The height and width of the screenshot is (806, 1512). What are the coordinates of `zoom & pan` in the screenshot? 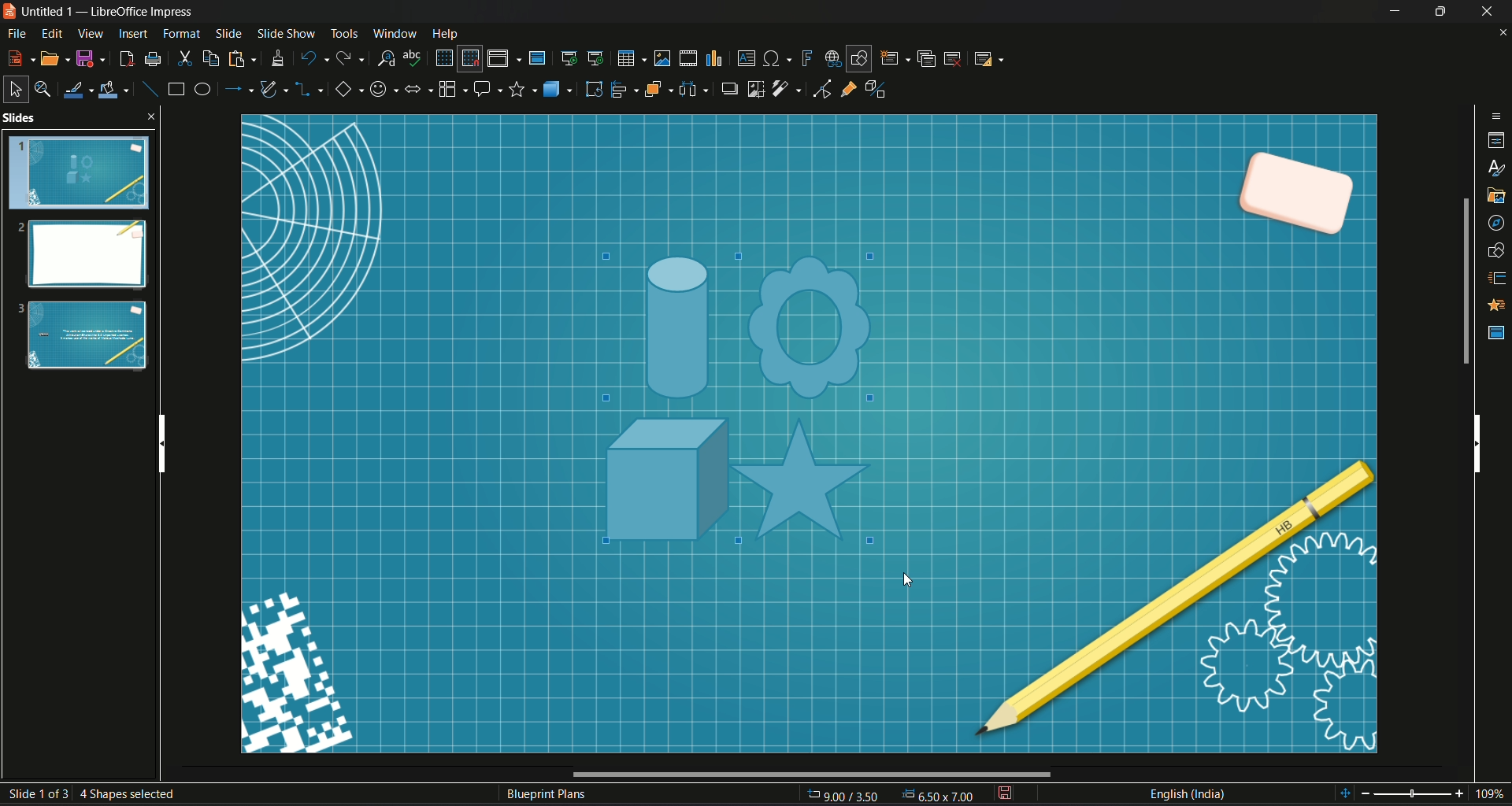 It's located at (42, 87).